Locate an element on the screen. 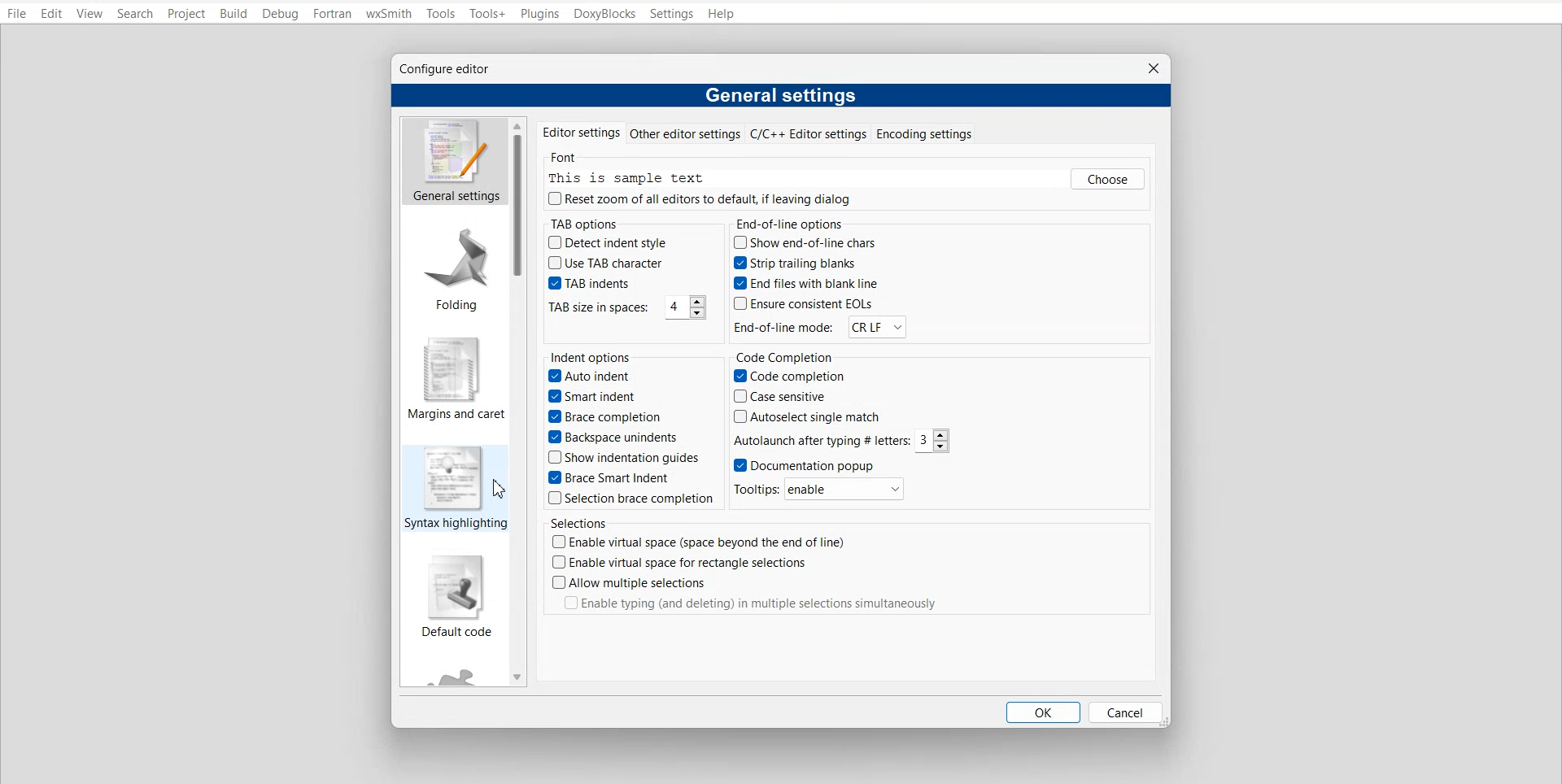 The width and height of the screenshot is (1562, 784). Cancel is located at coordinates (1127, 712).